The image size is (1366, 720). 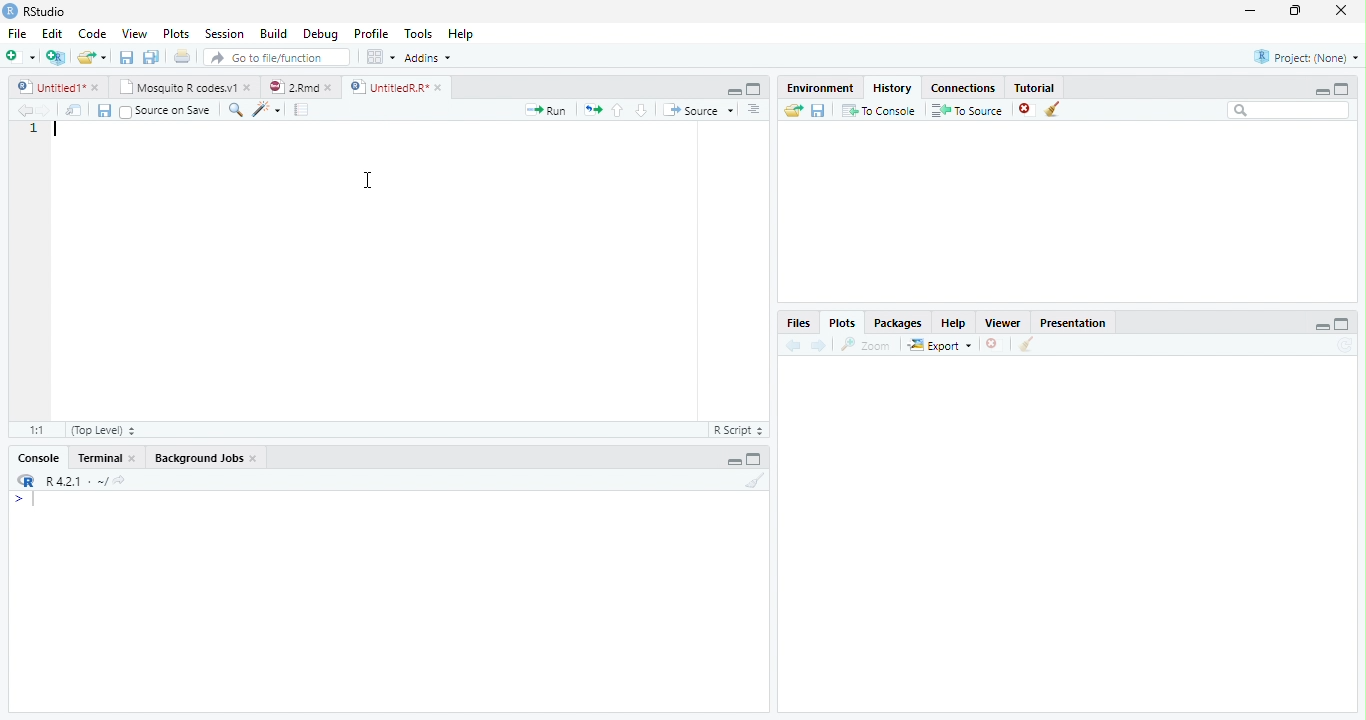 What do you see at coordinates (968, 111) in the screenshot?
I see `To source` at bounding box center [968, 111].